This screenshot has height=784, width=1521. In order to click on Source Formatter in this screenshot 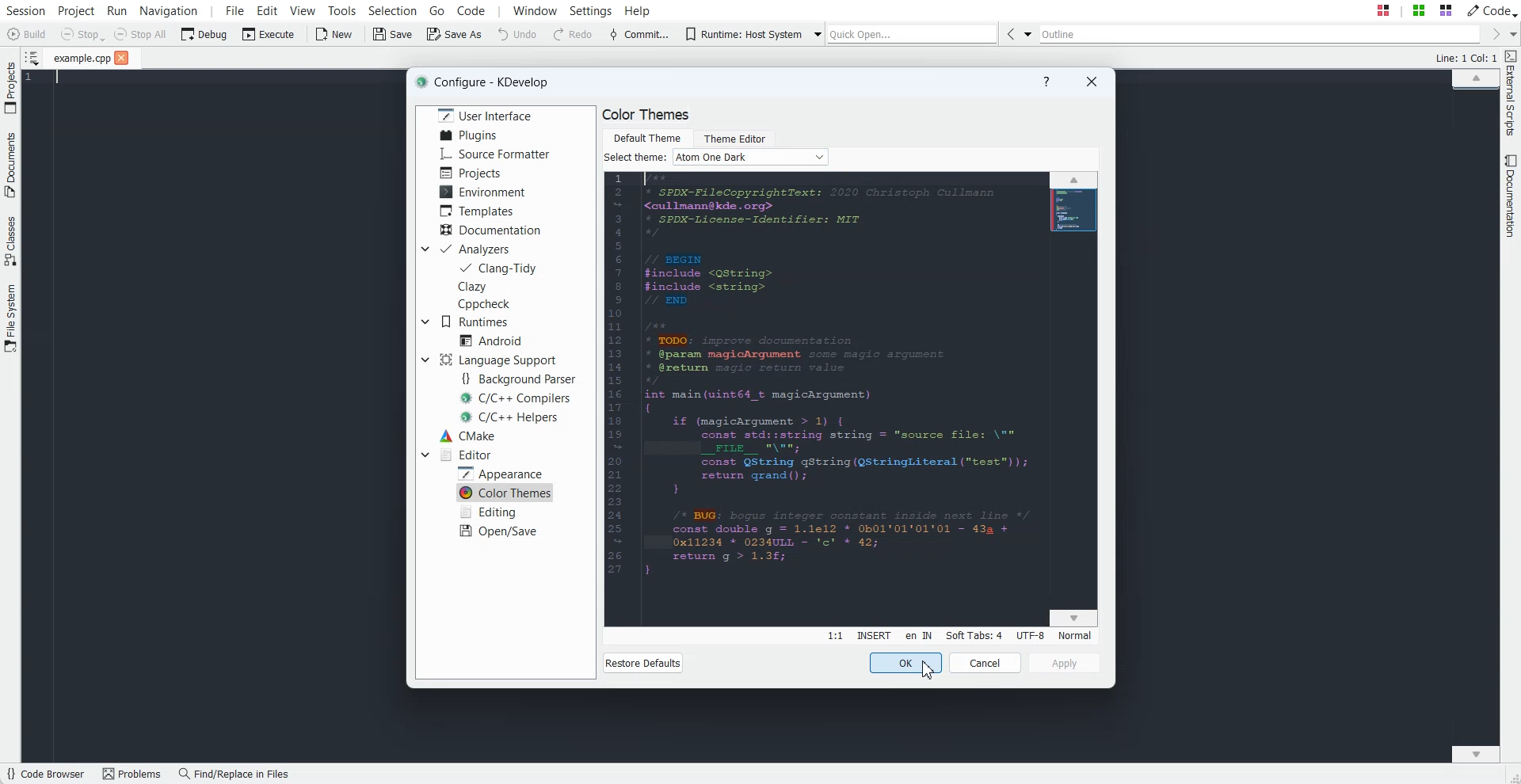, I will do `click(496, 154)`.